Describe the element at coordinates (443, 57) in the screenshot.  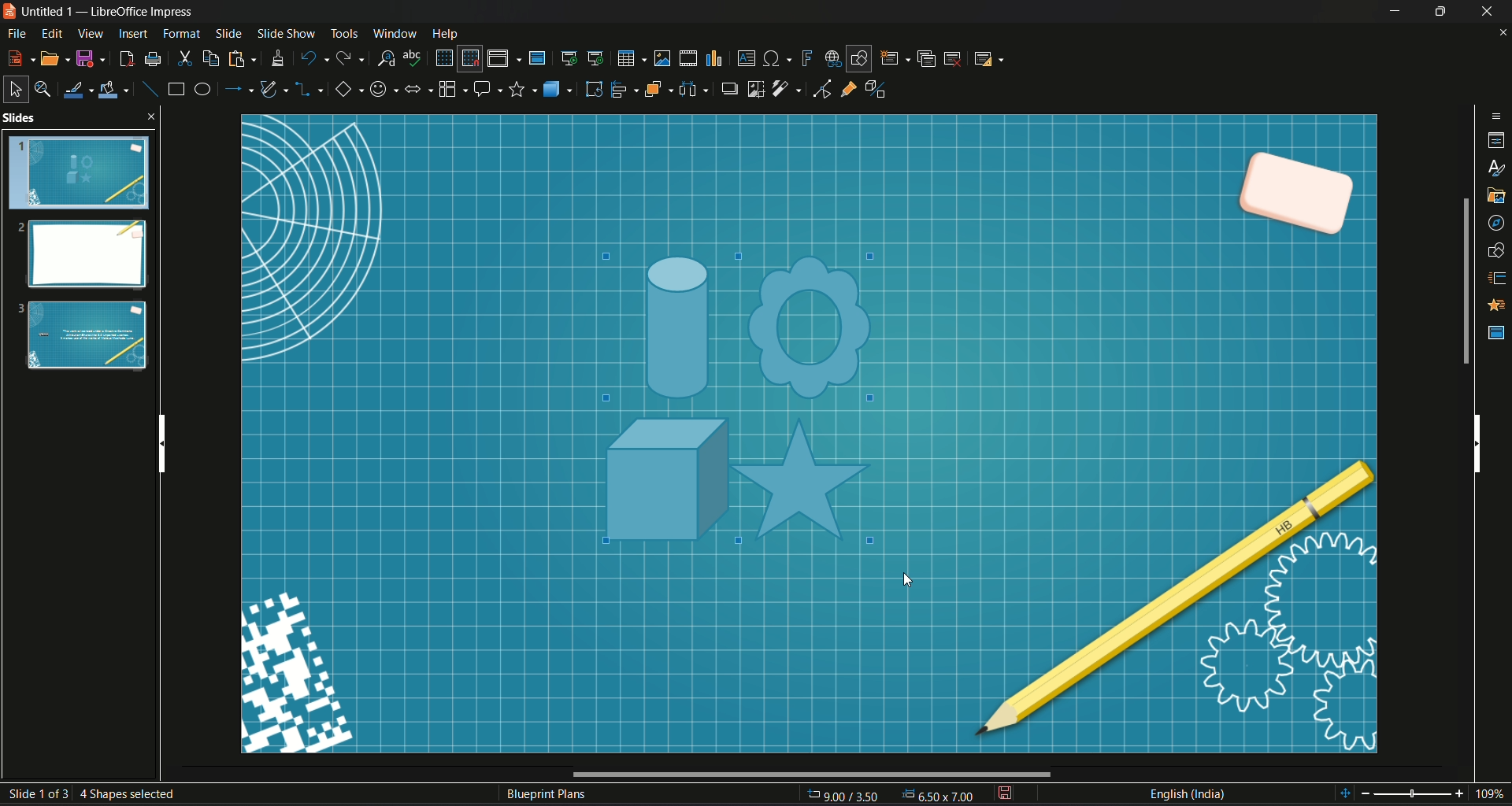
I see `display grid` at that location.